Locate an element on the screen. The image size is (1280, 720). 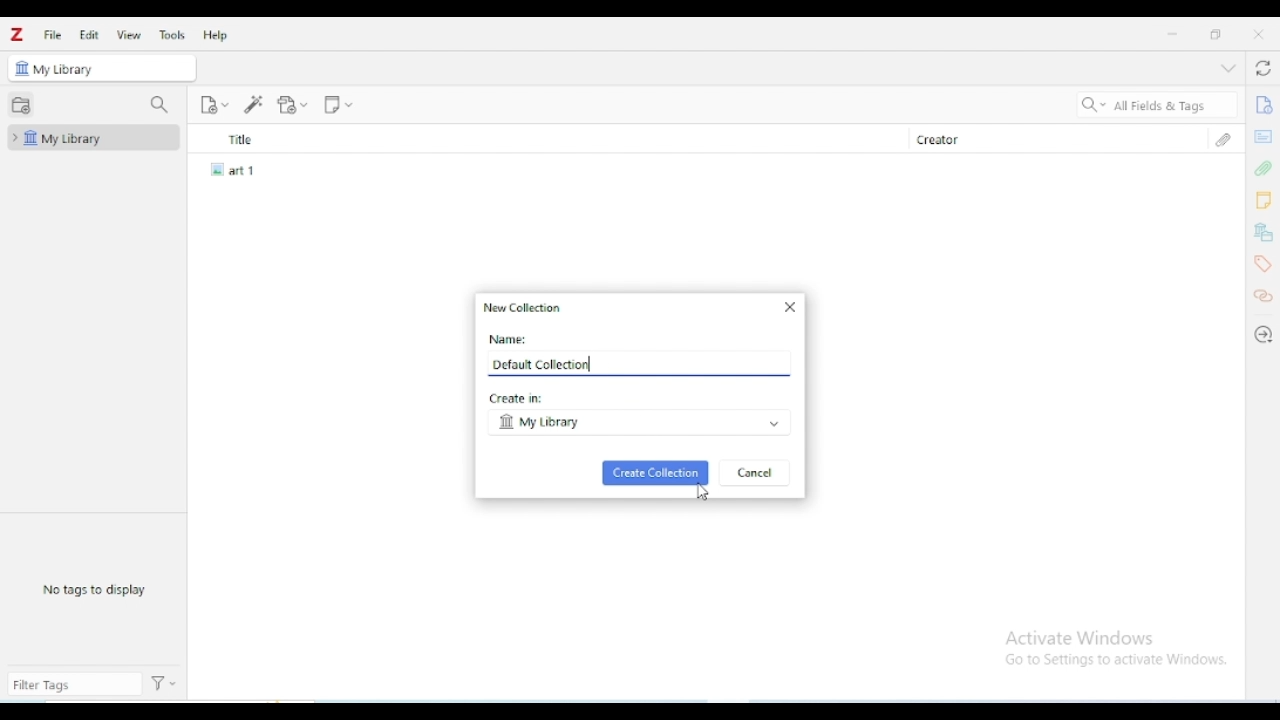
my library is located at coordinates (113, 67).